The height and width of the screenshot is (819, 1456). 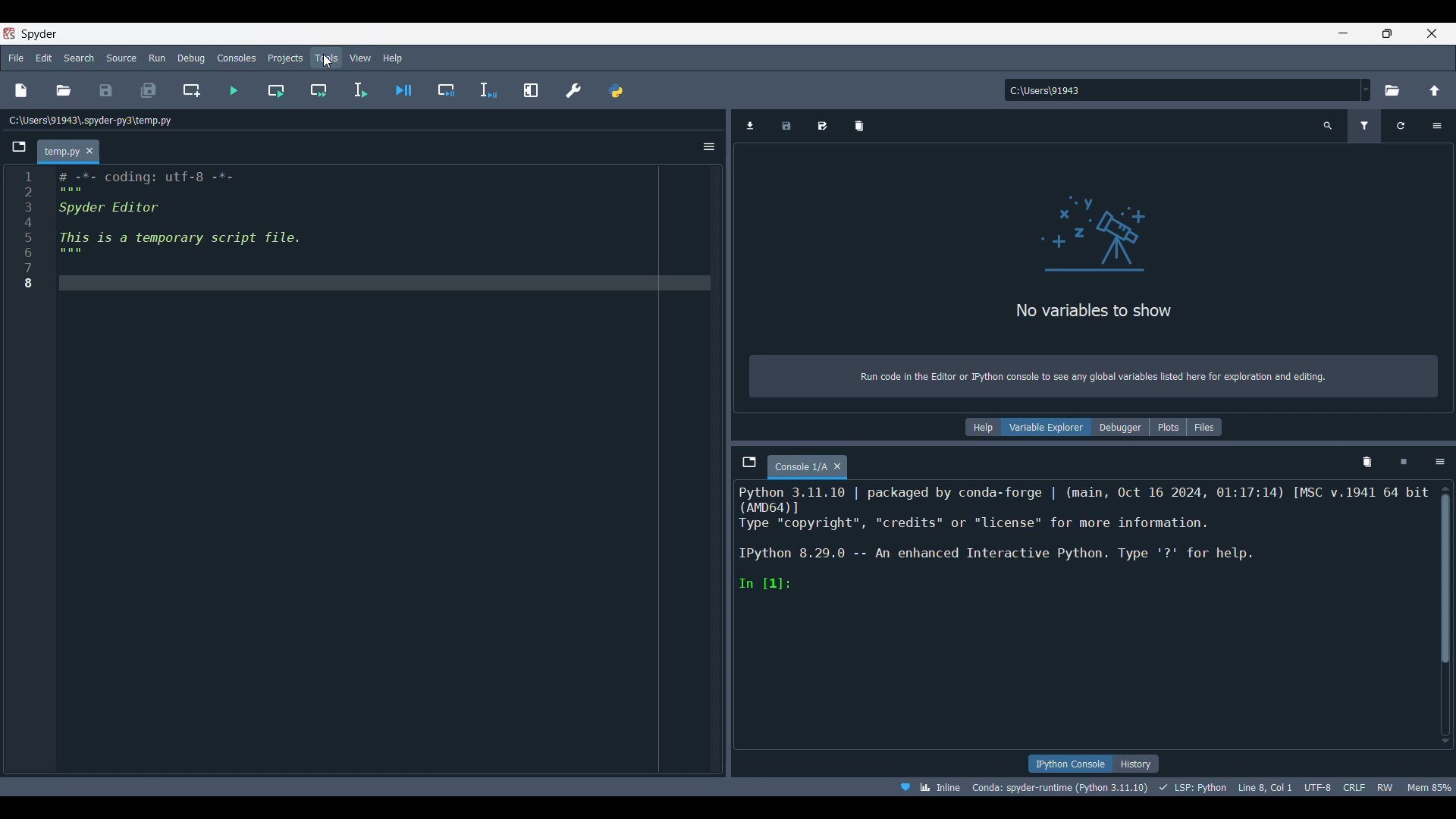 What do you see at coordinates (748, 463) in the screenshot?
I see `Browse tabs` at bounding box center [748, 463].